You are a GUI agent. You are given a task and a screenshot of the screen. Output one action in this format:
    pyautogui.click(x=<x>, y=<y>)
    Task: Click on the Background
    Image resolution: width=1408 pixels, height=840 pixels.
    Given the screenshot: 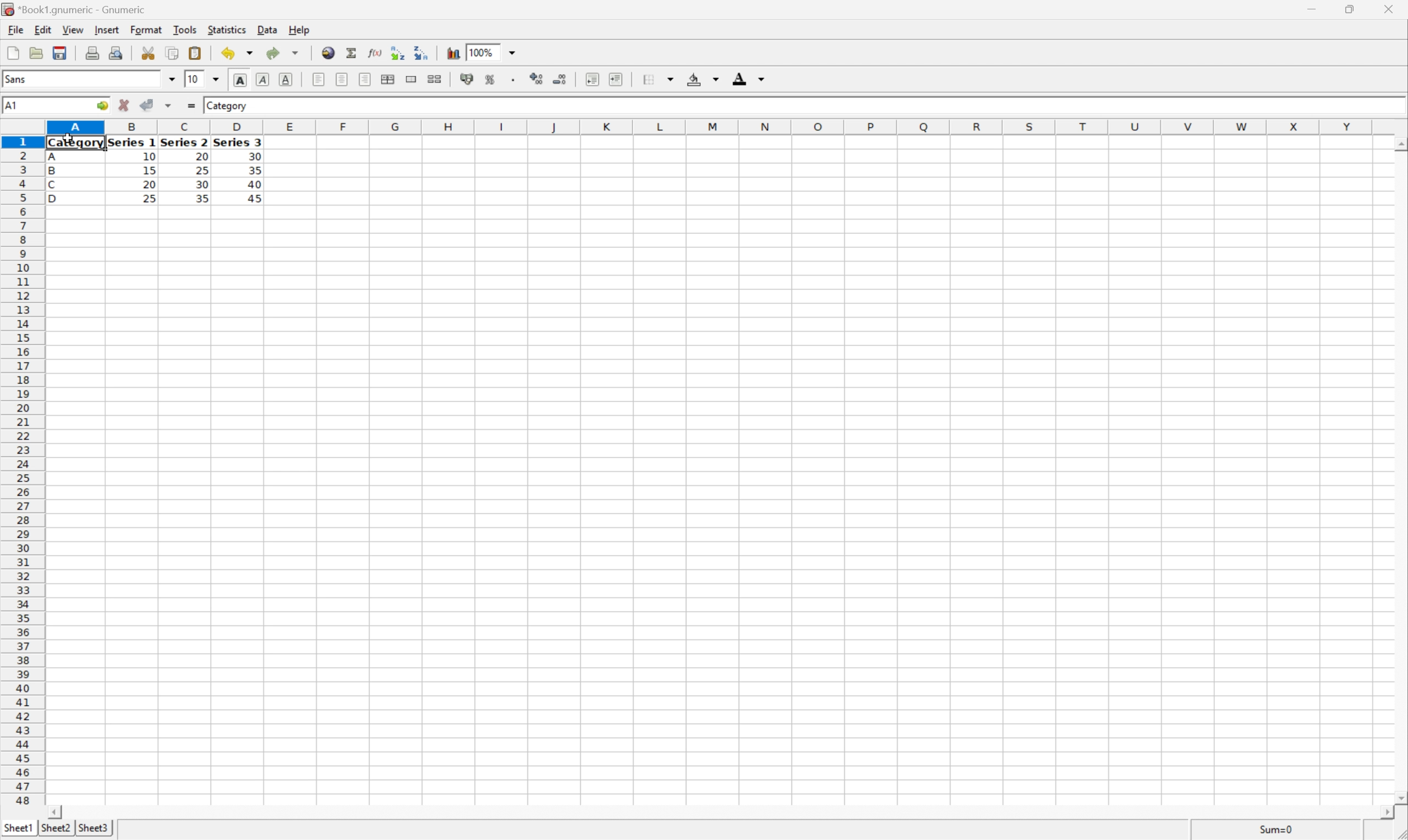 What is the action you would take?
    pyautogui.click(x=701, y=78)
    